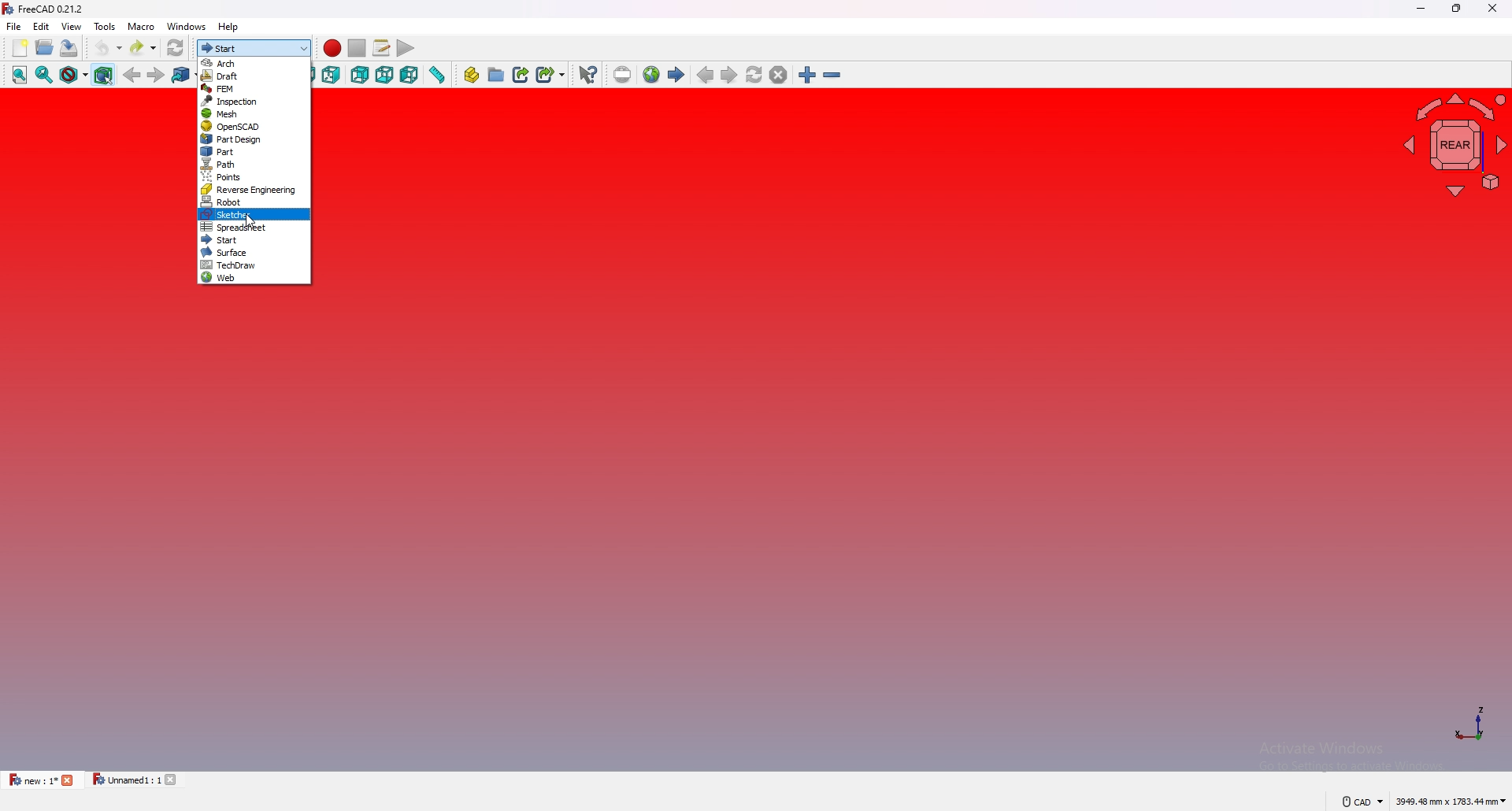 Image resolution: width=1512 pixels, height=811 pixels. What do you see at coordinates (1475, 724) in the screenshot?
I see `axis` at bounding box center [1475, 724].